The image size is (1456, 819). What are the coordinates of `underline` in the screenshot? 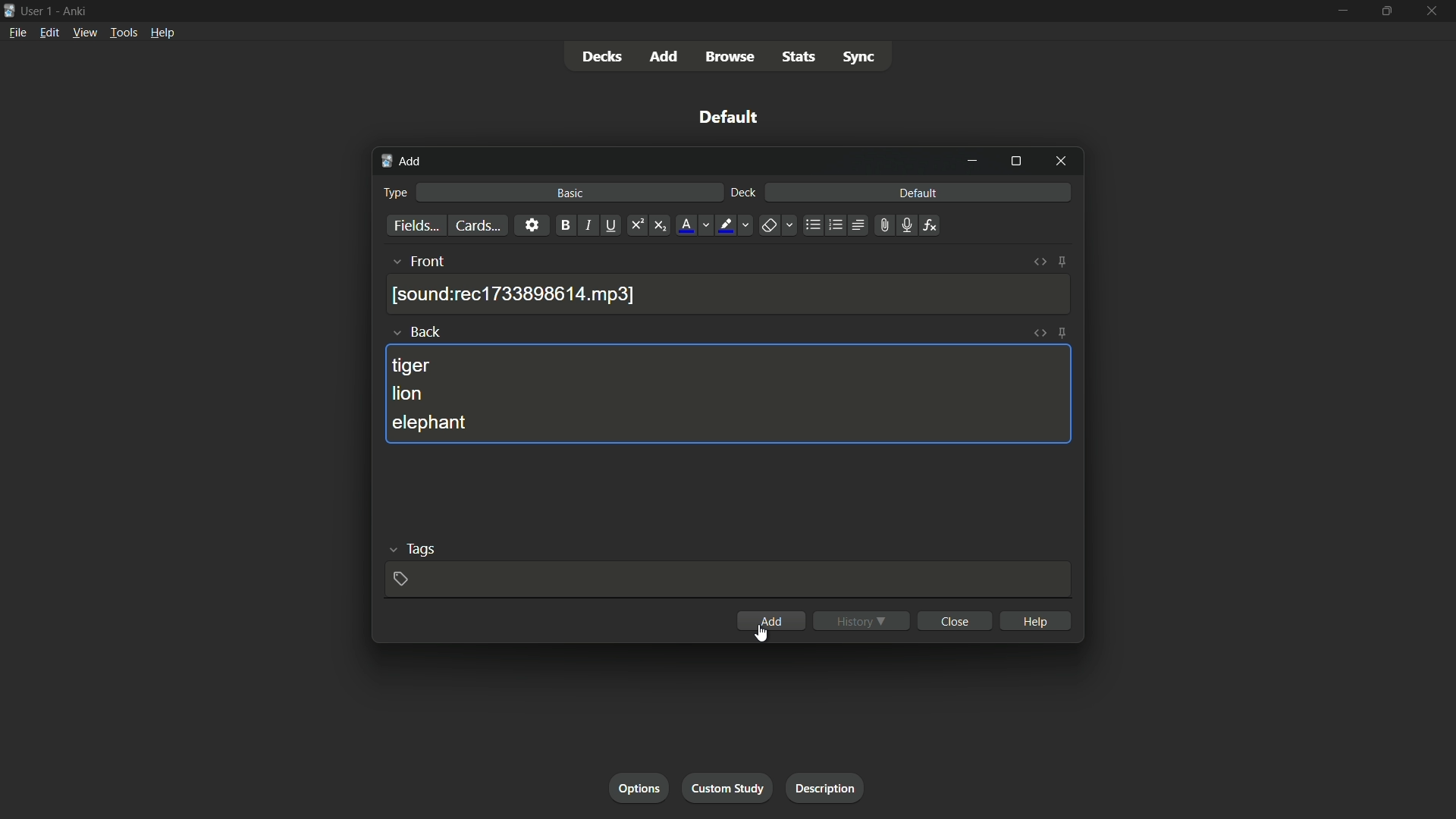 It's located at (613, 225).